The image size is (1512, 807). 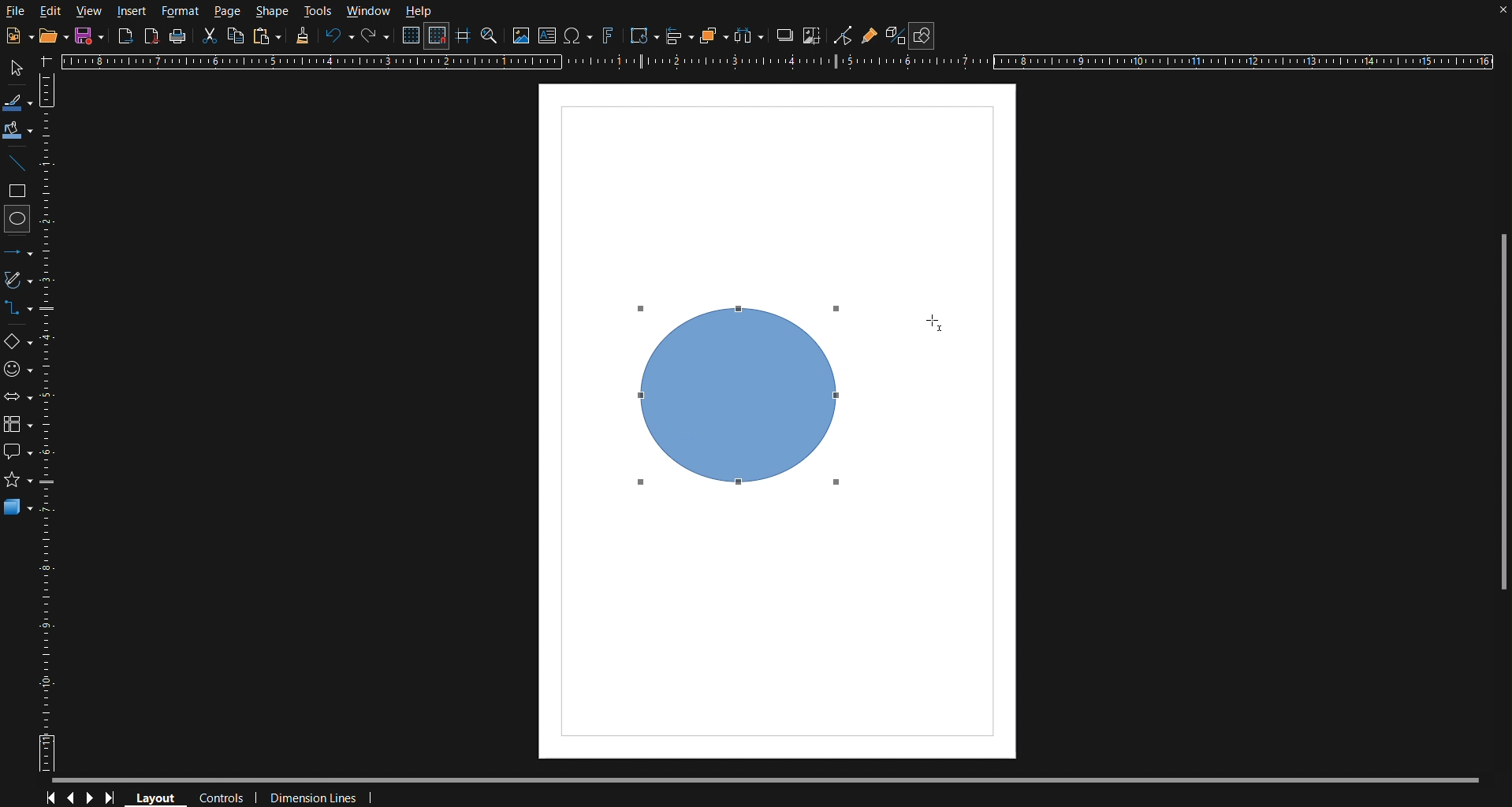 What do you see at coordinates (785, 36) in the screenshot?
I see `Shadow` at bounding box center [785, 36].